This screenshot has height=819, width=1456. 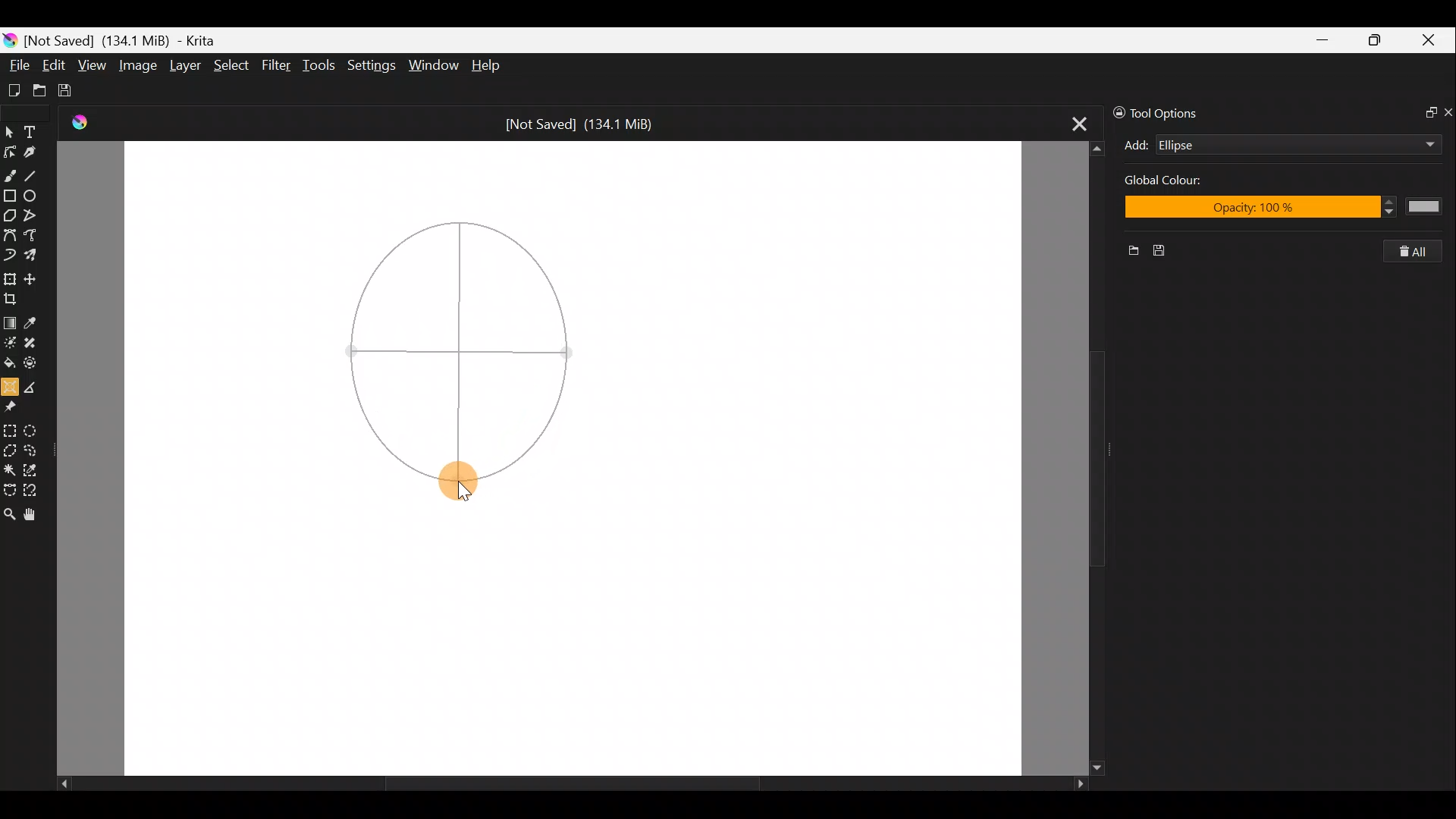 I want to click on Contiguous selection tool, so click(x=10, y=468).